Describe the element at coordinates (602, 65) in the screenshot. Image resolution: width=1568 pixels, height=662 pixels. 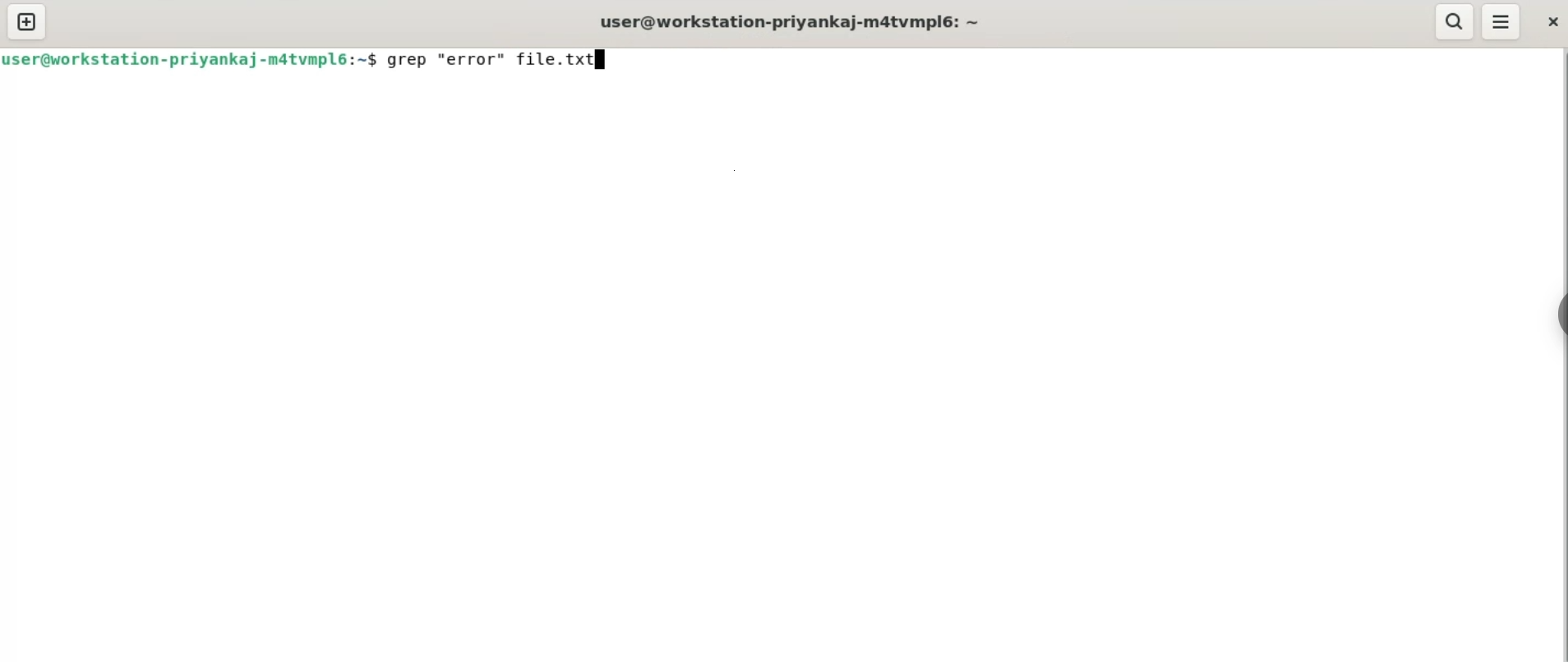
I see `cursor` at that location.